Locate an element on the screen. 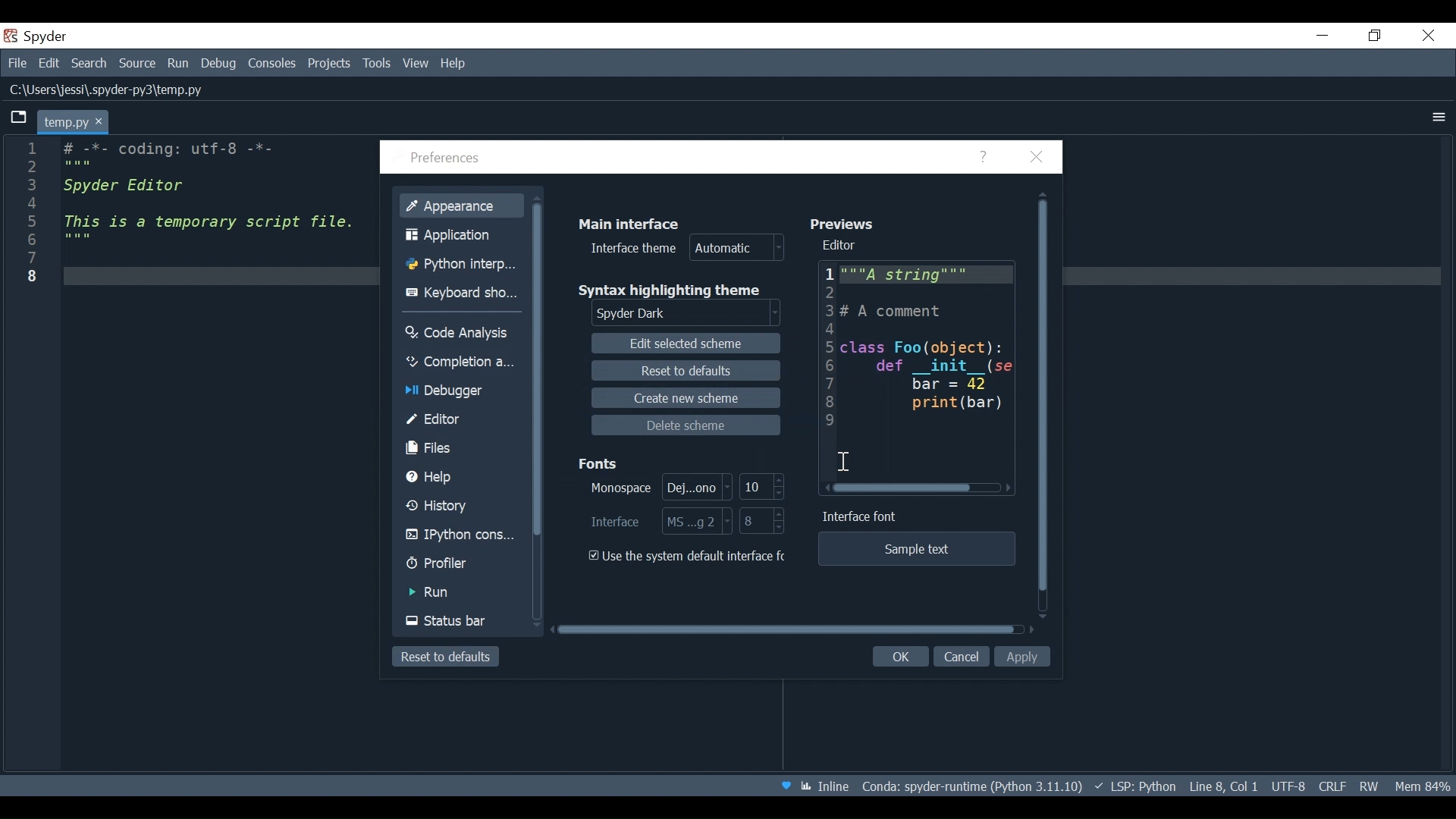  Spyder Desktop Icon is located at coordinates (39, 36).